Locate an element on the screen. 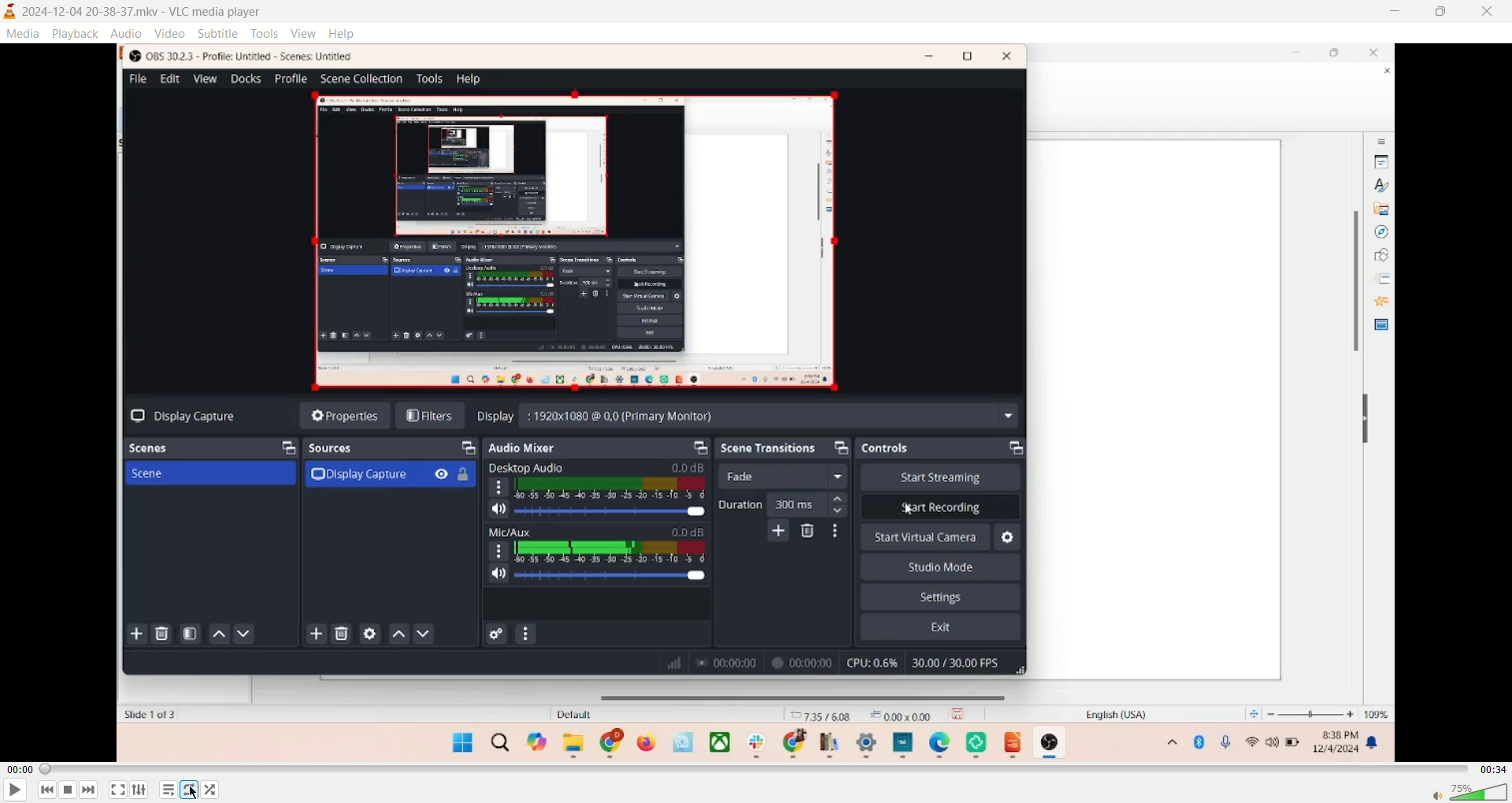 This screenshot has width=1512, height=803. progress bar is located at coordinates (754, 769).